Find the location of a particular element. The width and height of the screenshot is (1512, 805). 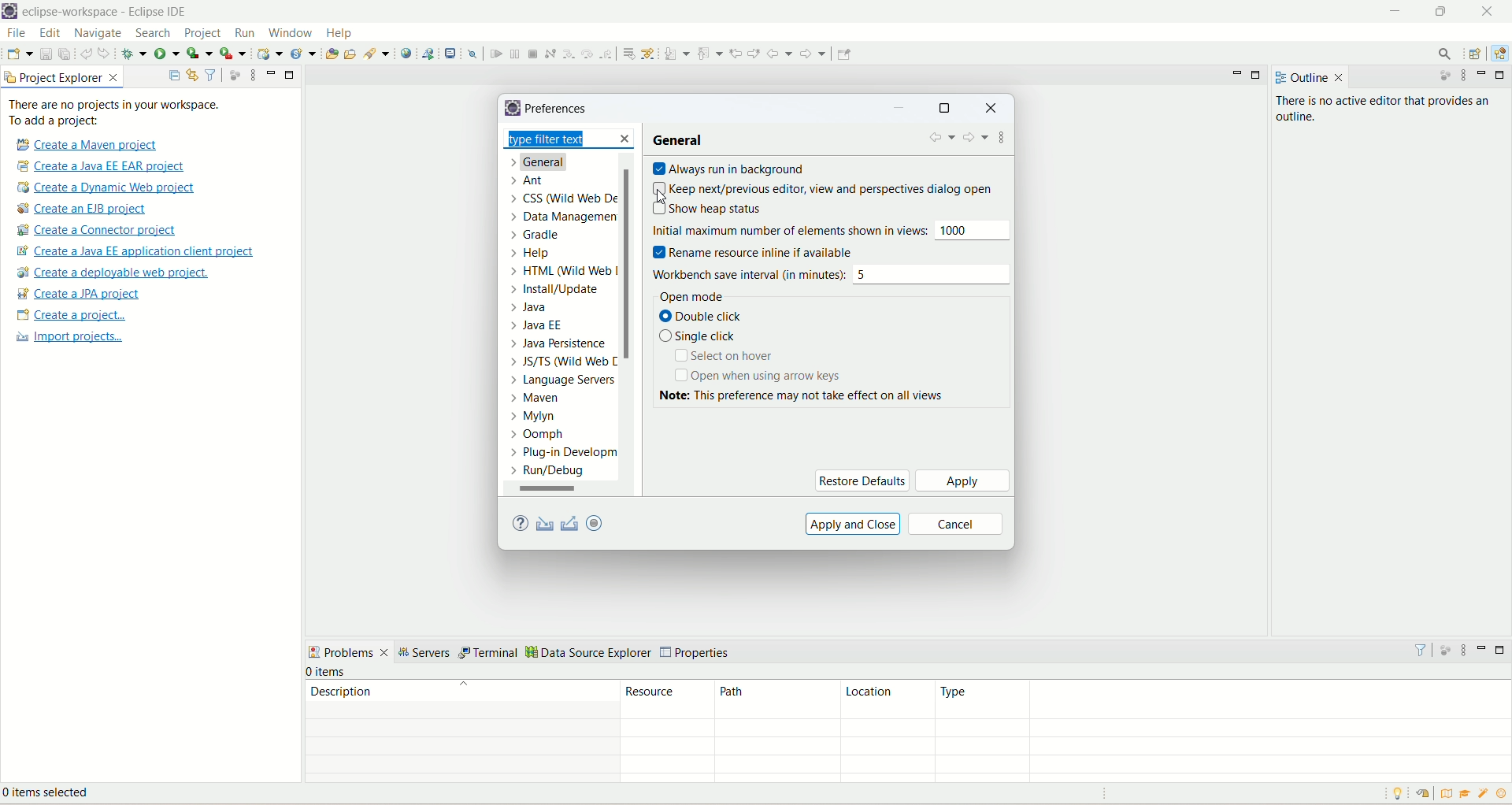

redo is located at coordinates (106, 53).